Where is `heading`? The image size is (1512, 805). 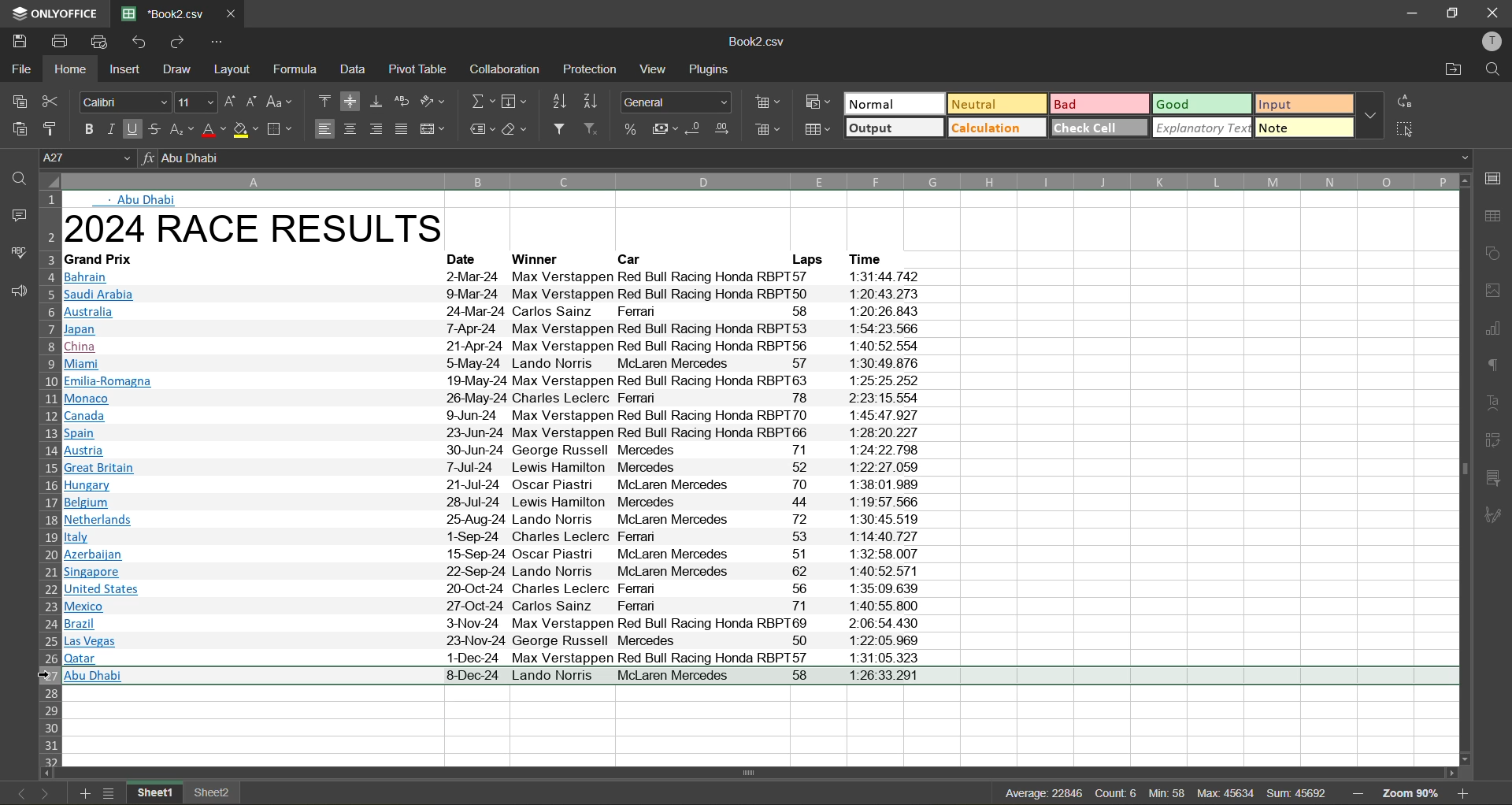 heading is located at coordinates (263, 230).